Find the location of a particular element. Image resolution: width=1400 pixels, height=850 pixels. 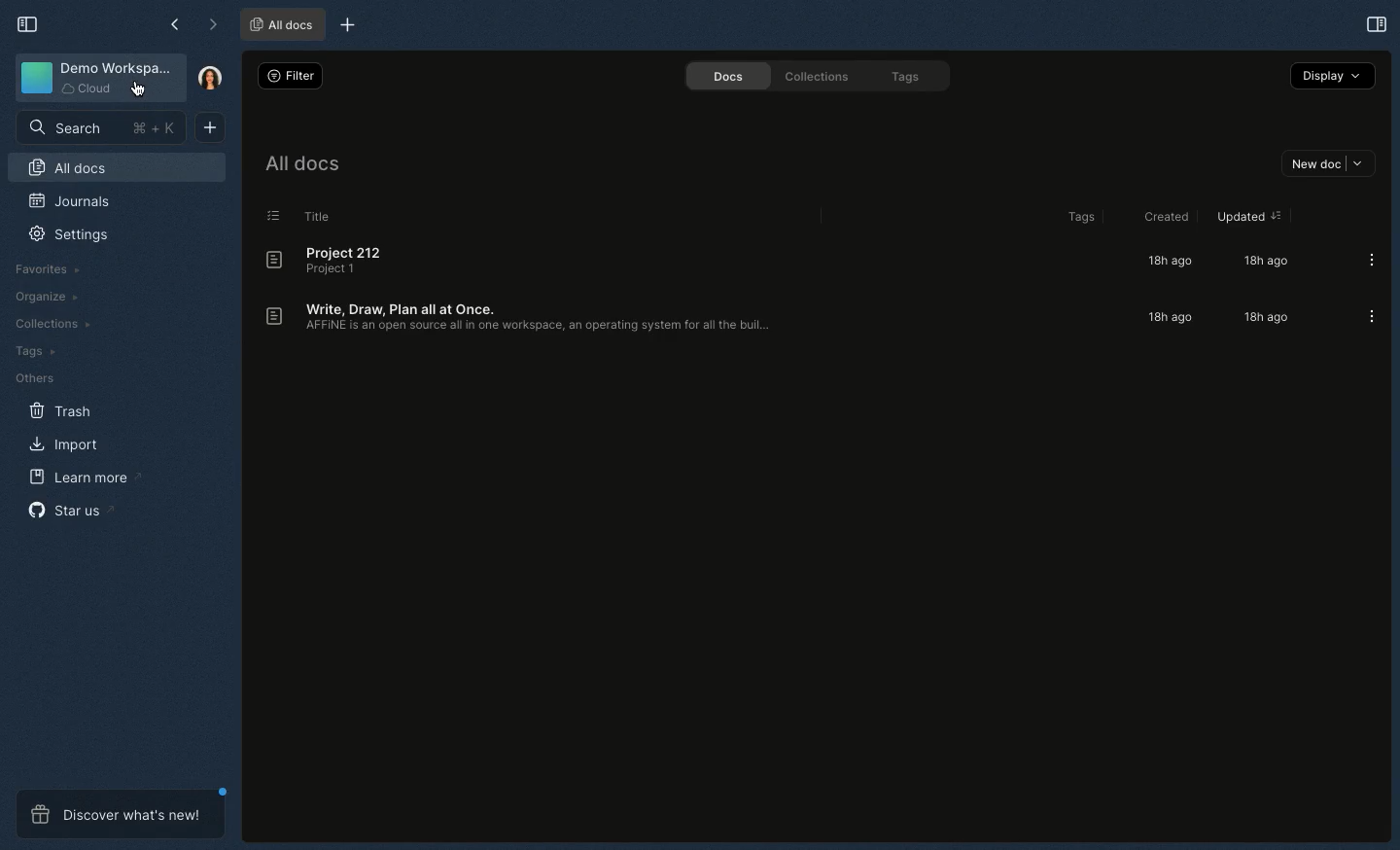

Forward is located at coordinates (209, 23).